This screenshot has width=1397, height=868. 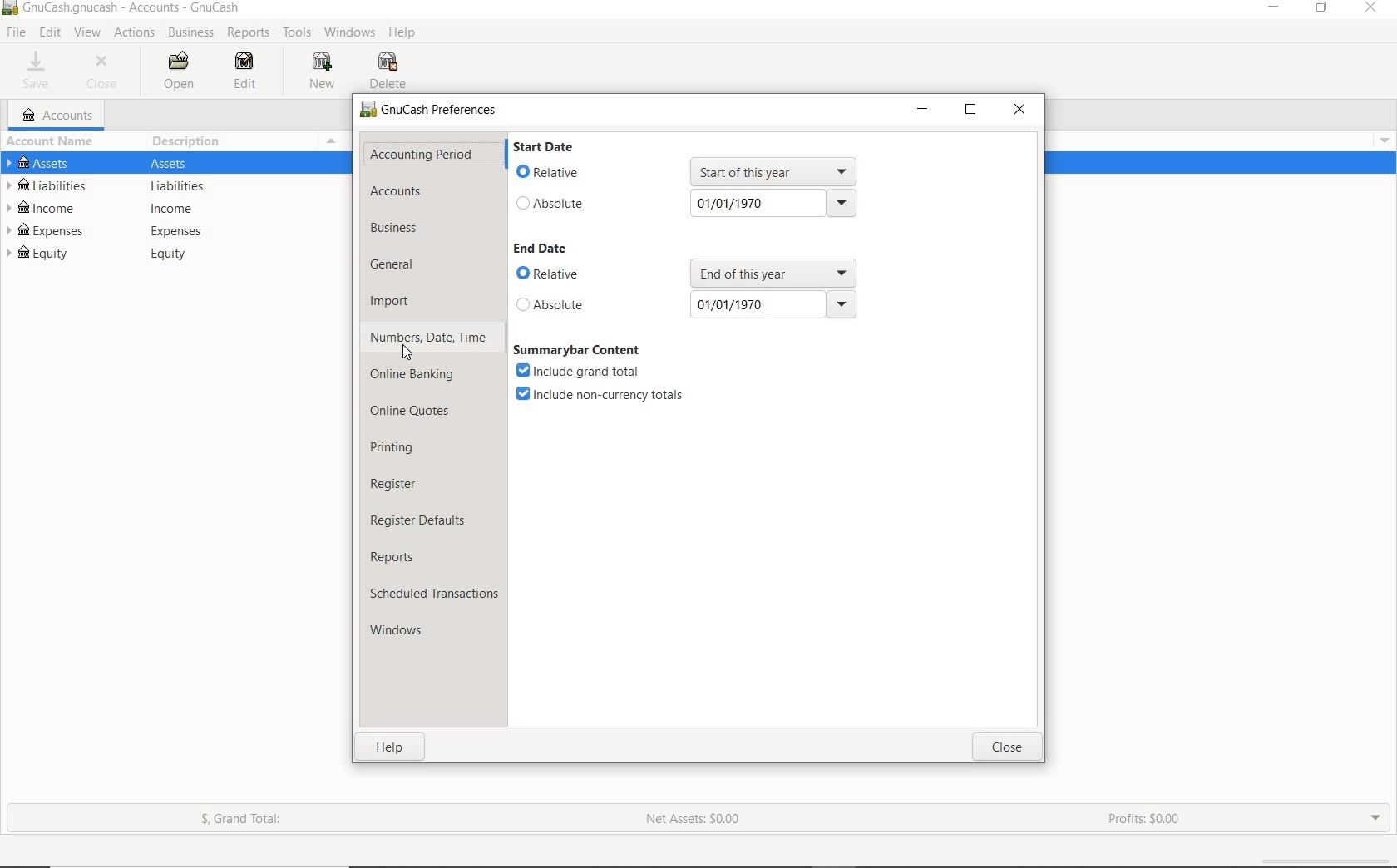 What do you see at coordinates (106, 72) in the screenshot?
I see `CLOSE` at bounding box center [106, 72].